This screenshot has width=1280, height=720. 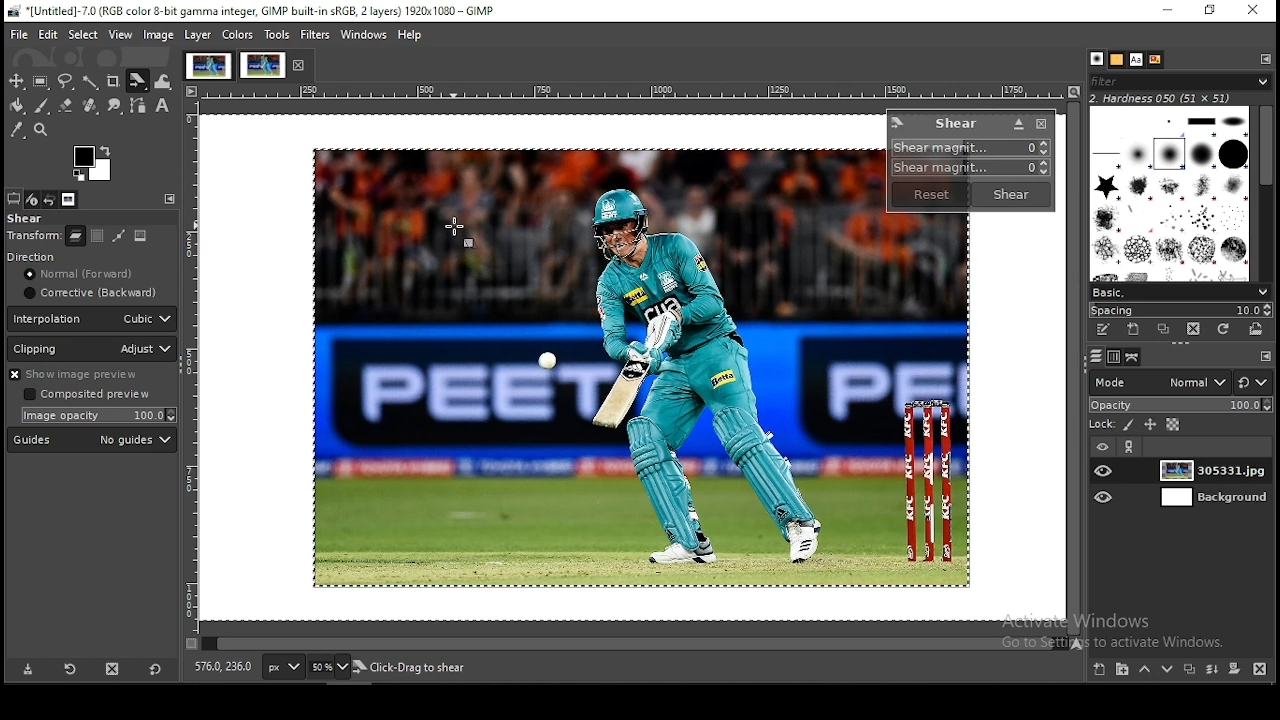 I want to click on tools, so click(x=277, y=35).